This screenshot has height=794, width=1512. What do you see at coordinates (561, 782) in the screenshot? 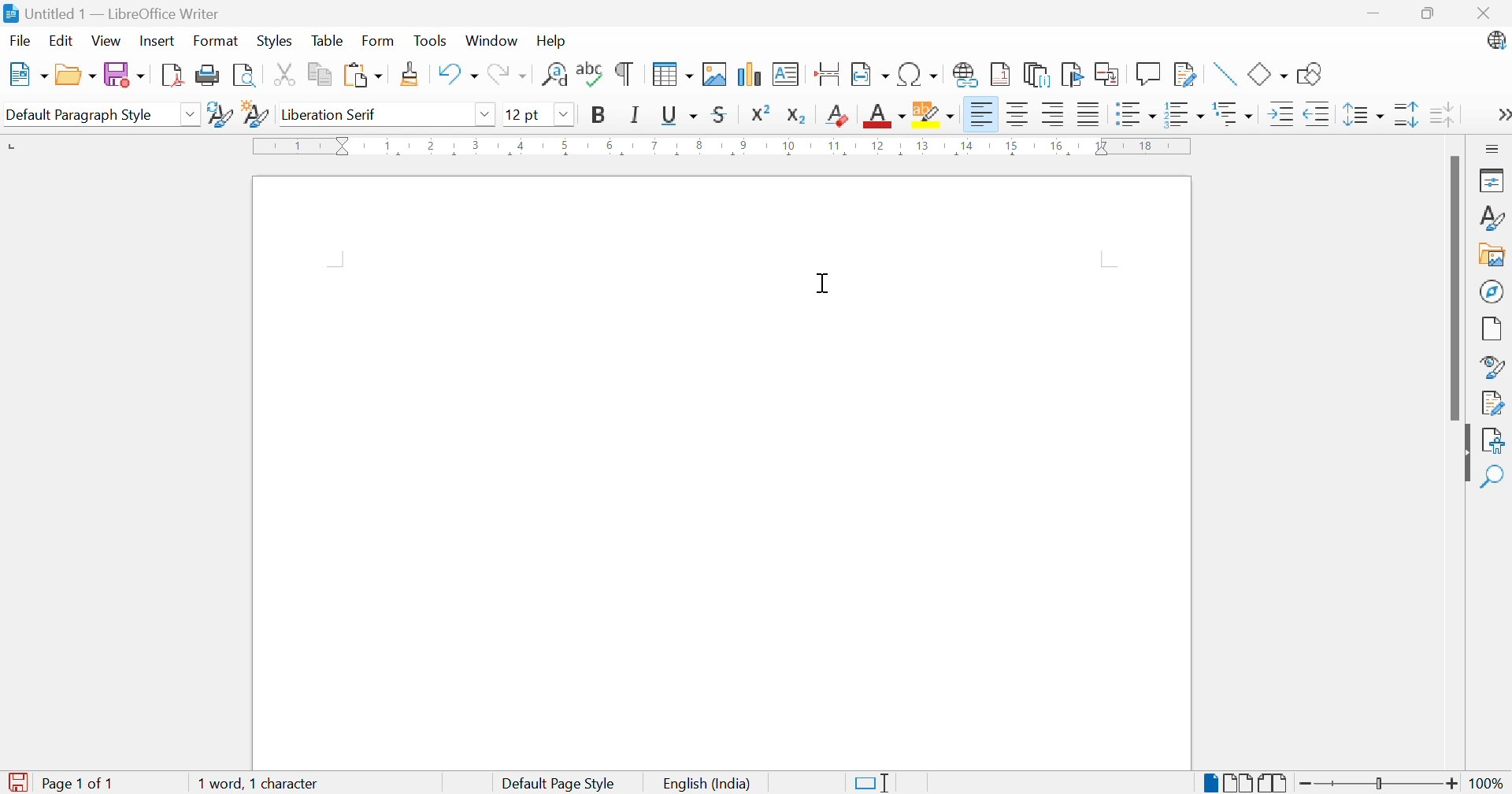
I see `Default Page Style` at bounding box center [561, 782].